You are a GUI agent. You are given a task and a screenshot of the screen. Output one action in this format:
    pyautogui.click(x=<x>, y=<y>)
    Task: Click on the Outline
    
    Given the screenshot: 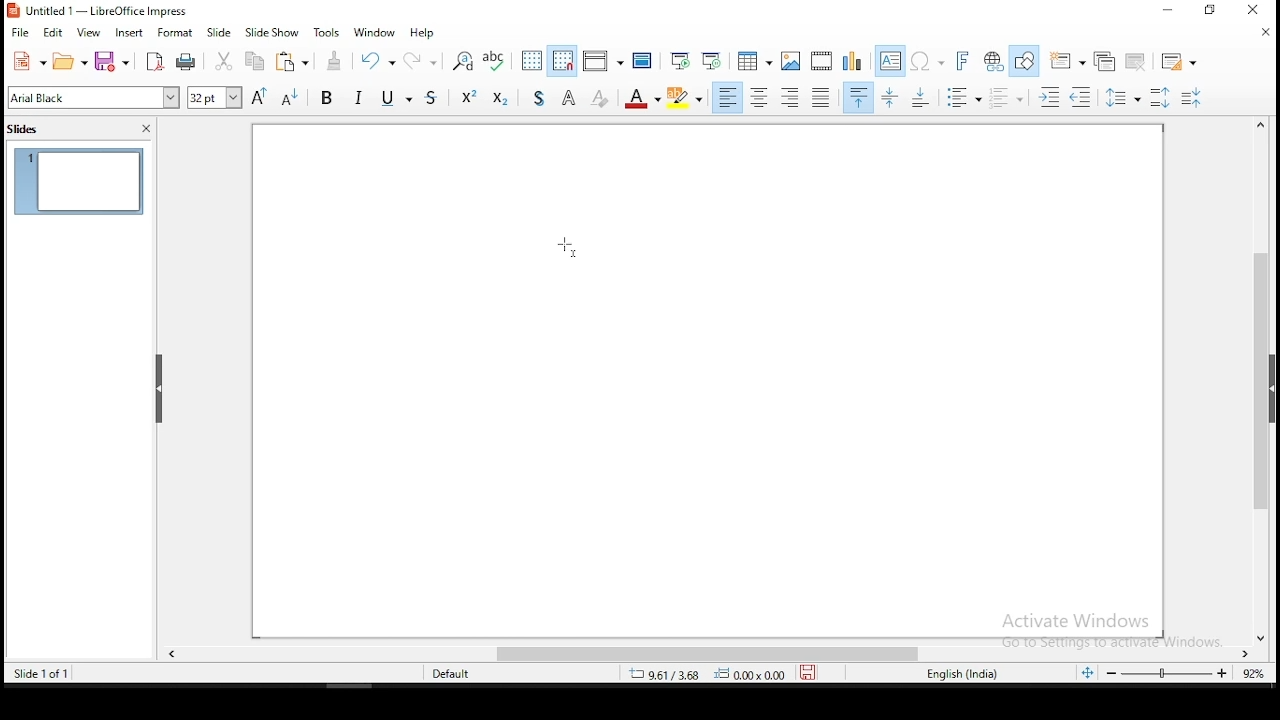 What is the action you would take?
    pyautogui.click(x=570, y=96)
    